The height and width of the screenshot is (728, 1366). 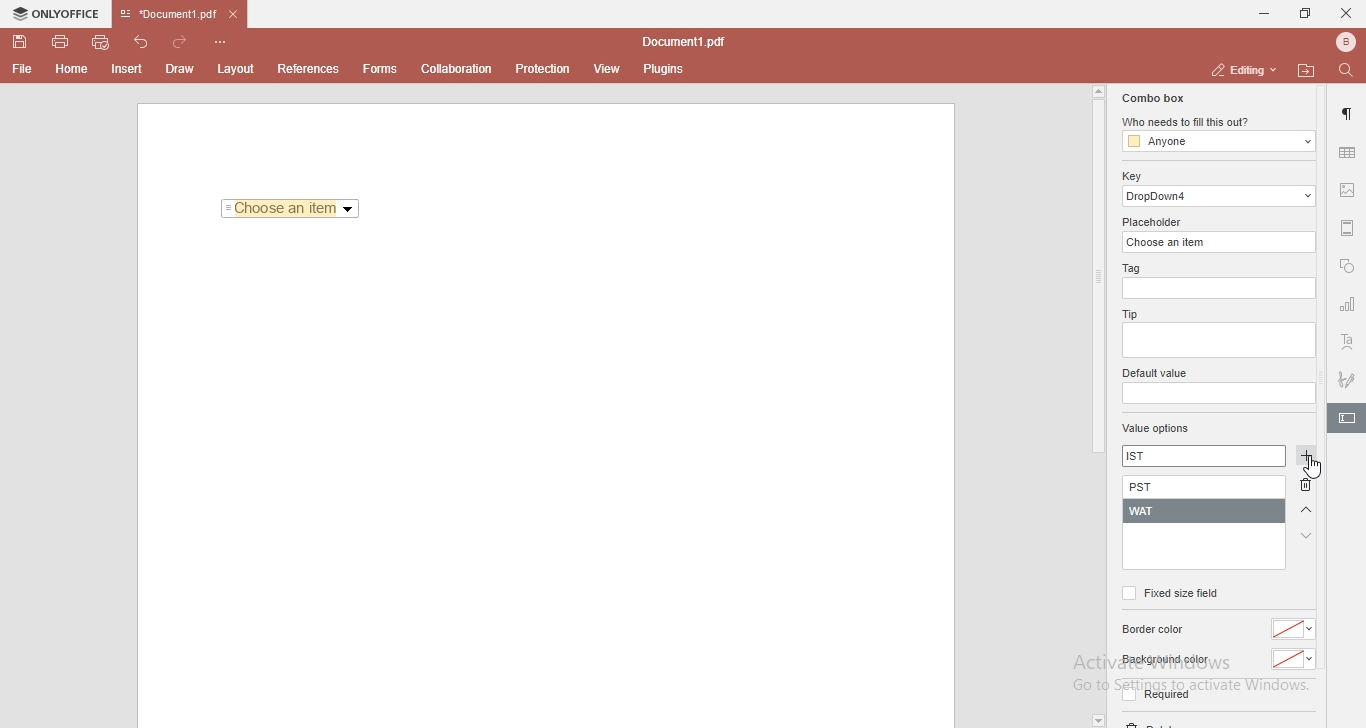 What do you see at coordinates (1151, 98) in the screenshot?
I see `combo box` at bounding box center [1151, 98].